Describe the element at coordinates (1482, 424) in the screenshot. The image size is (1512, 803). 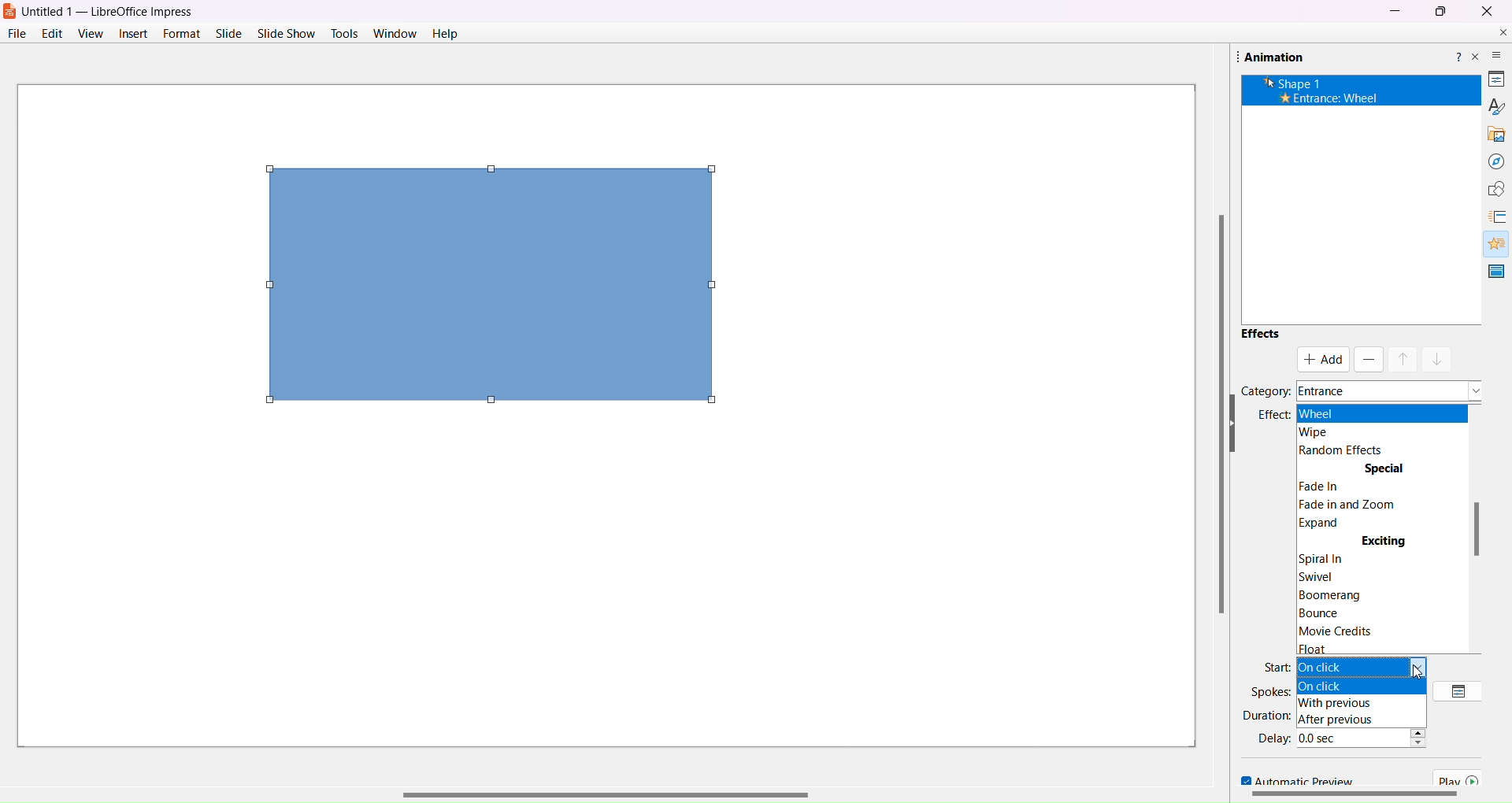
I see `Hide` at that location.